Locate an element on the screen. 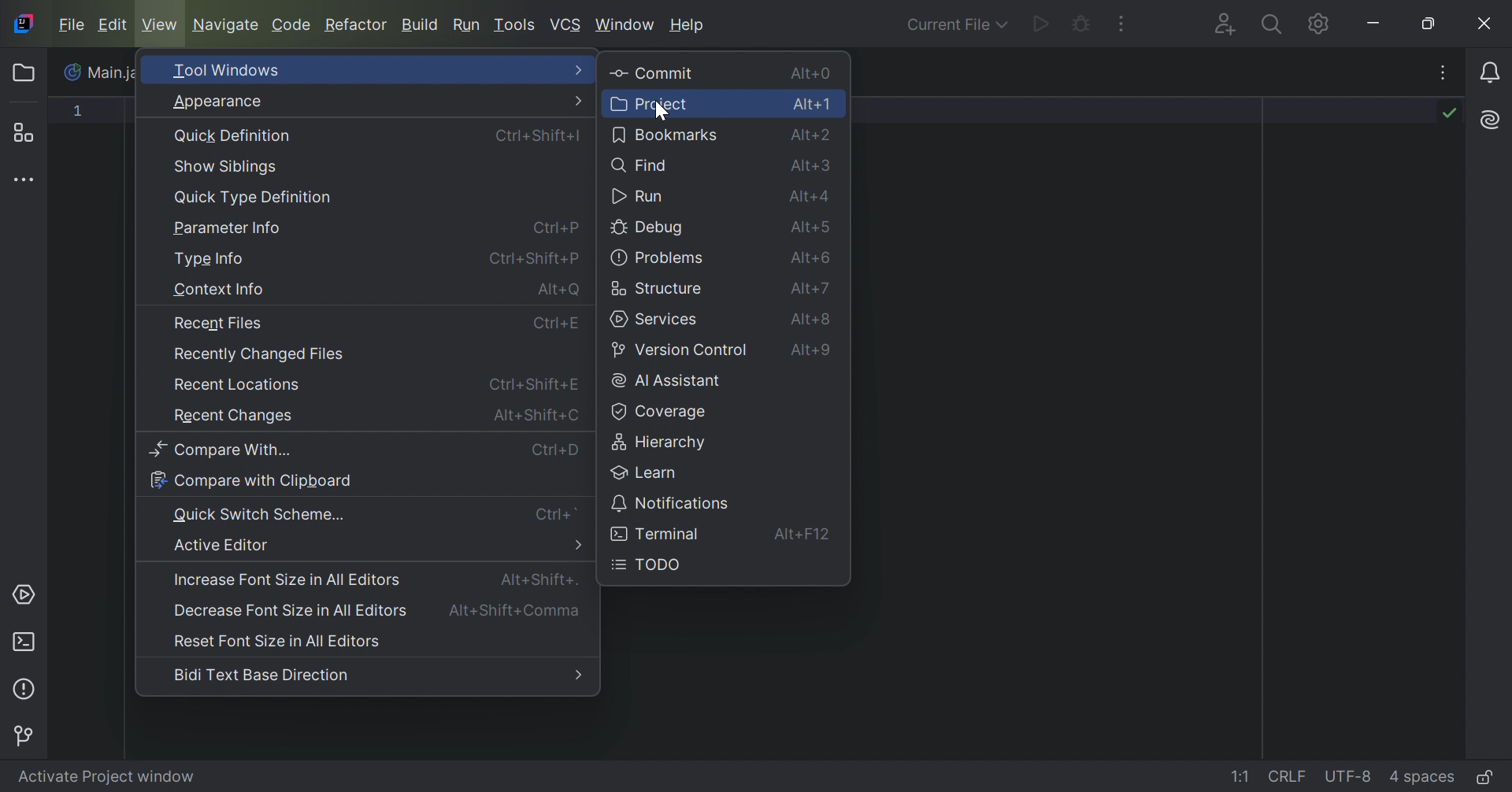 Image resolution: width=1512 pixels, height=792 pixels. Quick Definition is located at coordinates (235, 136).